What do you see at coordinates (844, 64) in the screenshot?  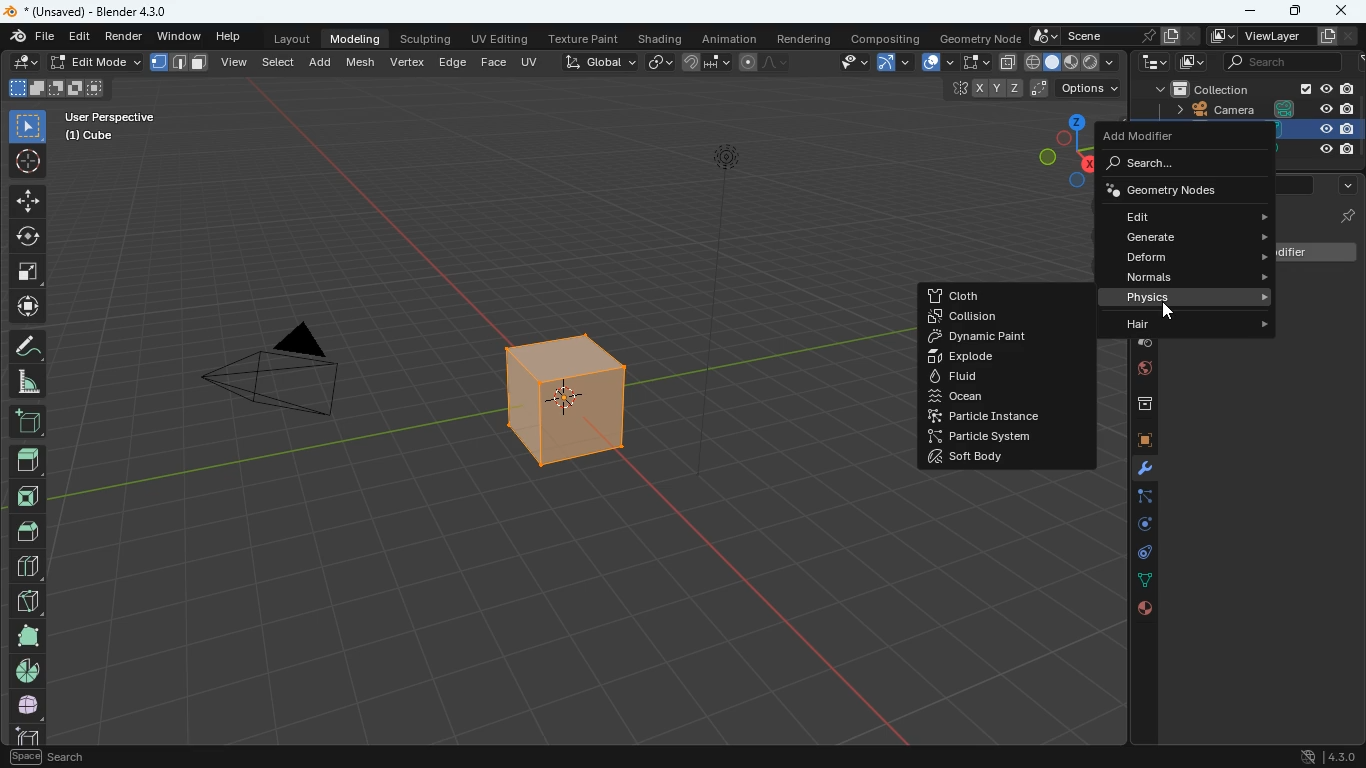 I see `edit` at bounding box center [844, 64].